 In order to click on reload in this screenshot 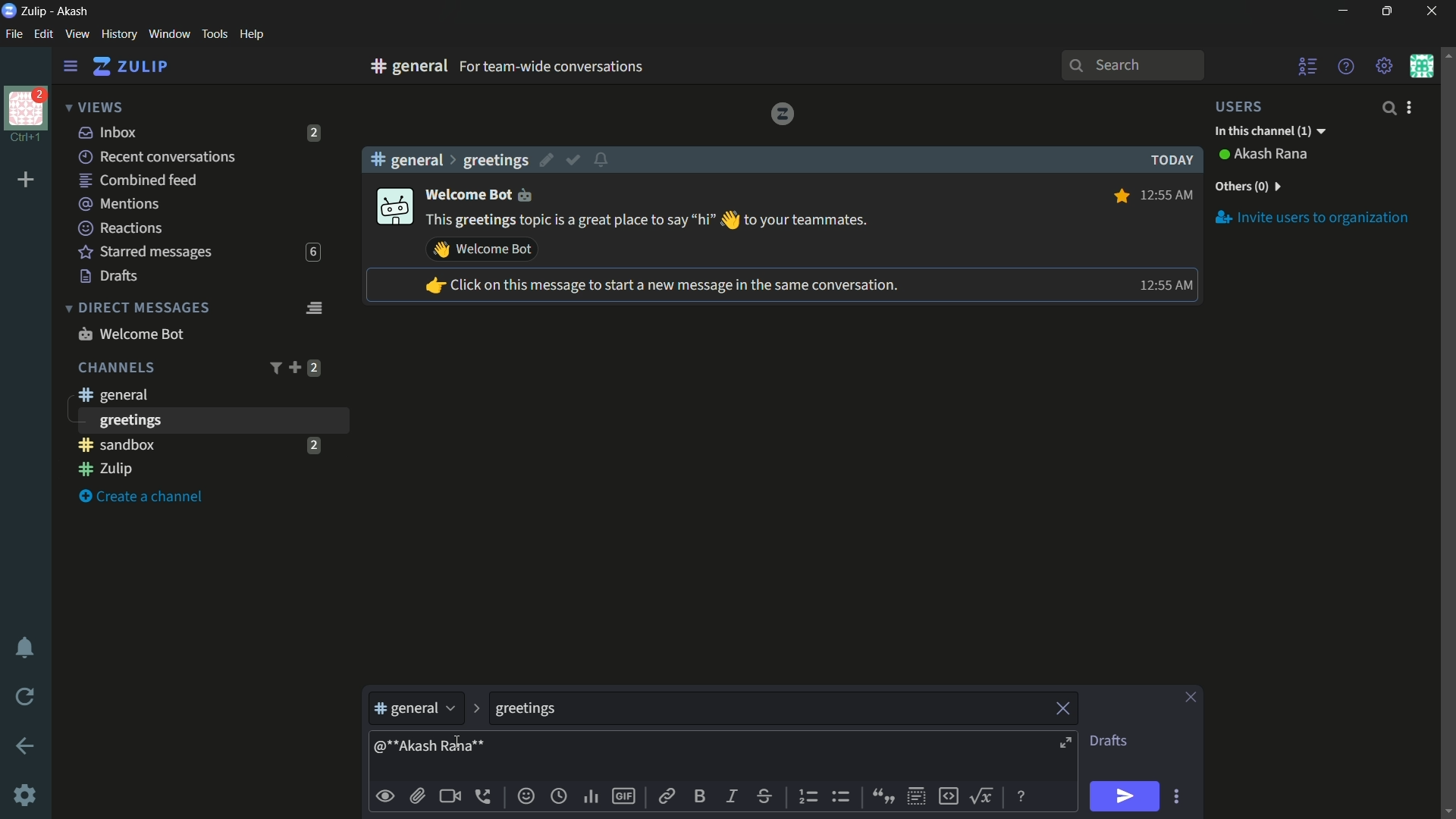, I will do `click(26, 696)`.